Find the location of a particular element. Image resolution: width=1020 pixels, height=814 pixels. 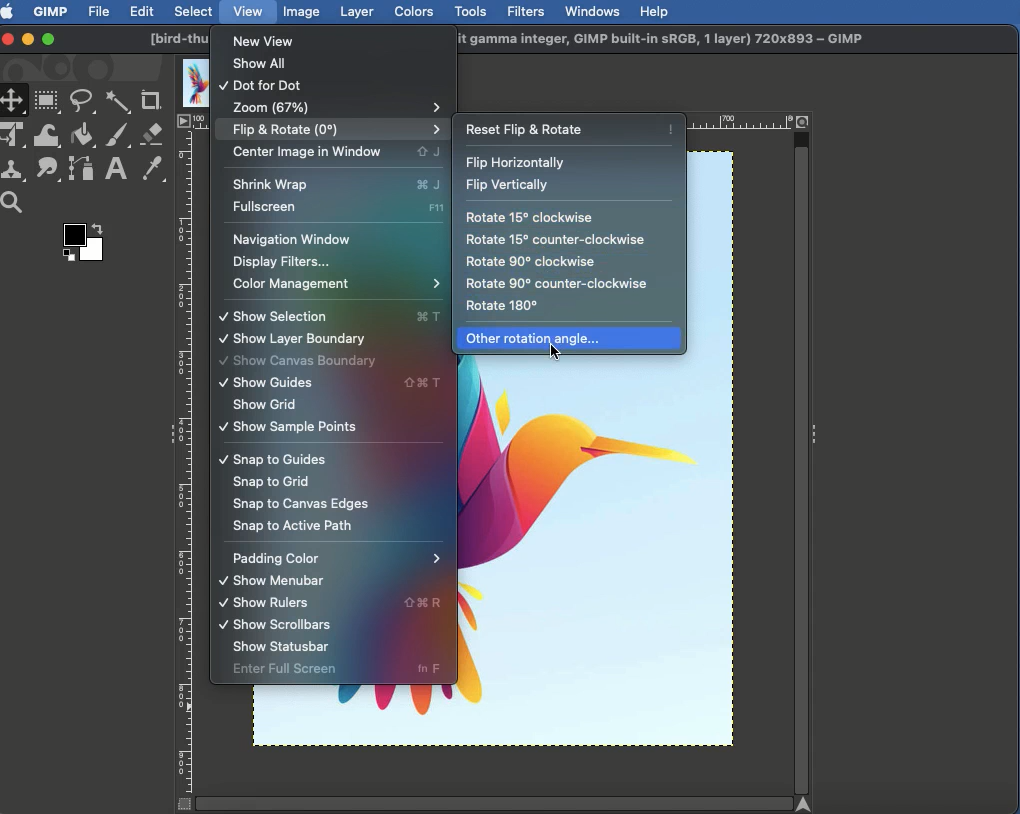

Fill color is located at coordinates (81, 137).